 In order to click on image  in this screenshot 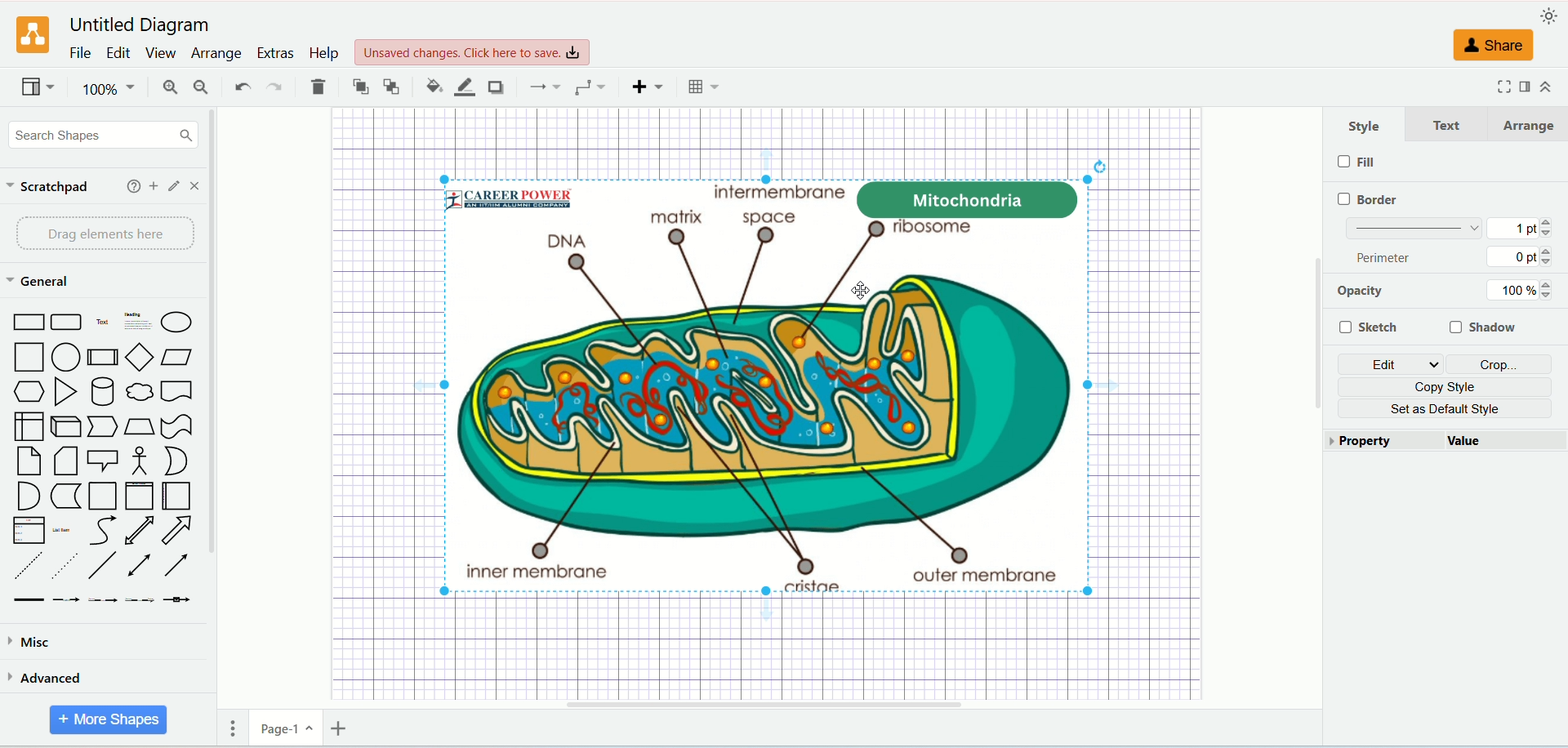, I will do `click(771, 381)`.